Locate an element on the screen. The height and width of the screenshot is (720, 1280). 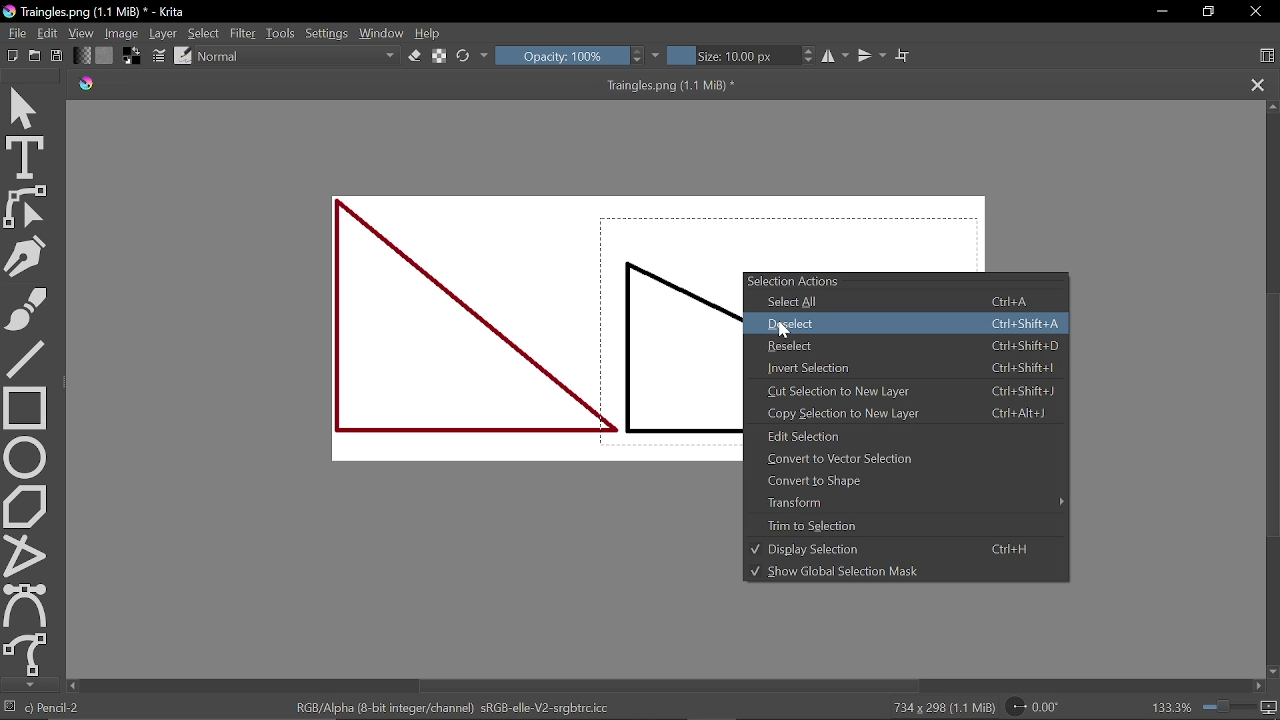
Copy selection to new layer is located at coordinates (909, 413).